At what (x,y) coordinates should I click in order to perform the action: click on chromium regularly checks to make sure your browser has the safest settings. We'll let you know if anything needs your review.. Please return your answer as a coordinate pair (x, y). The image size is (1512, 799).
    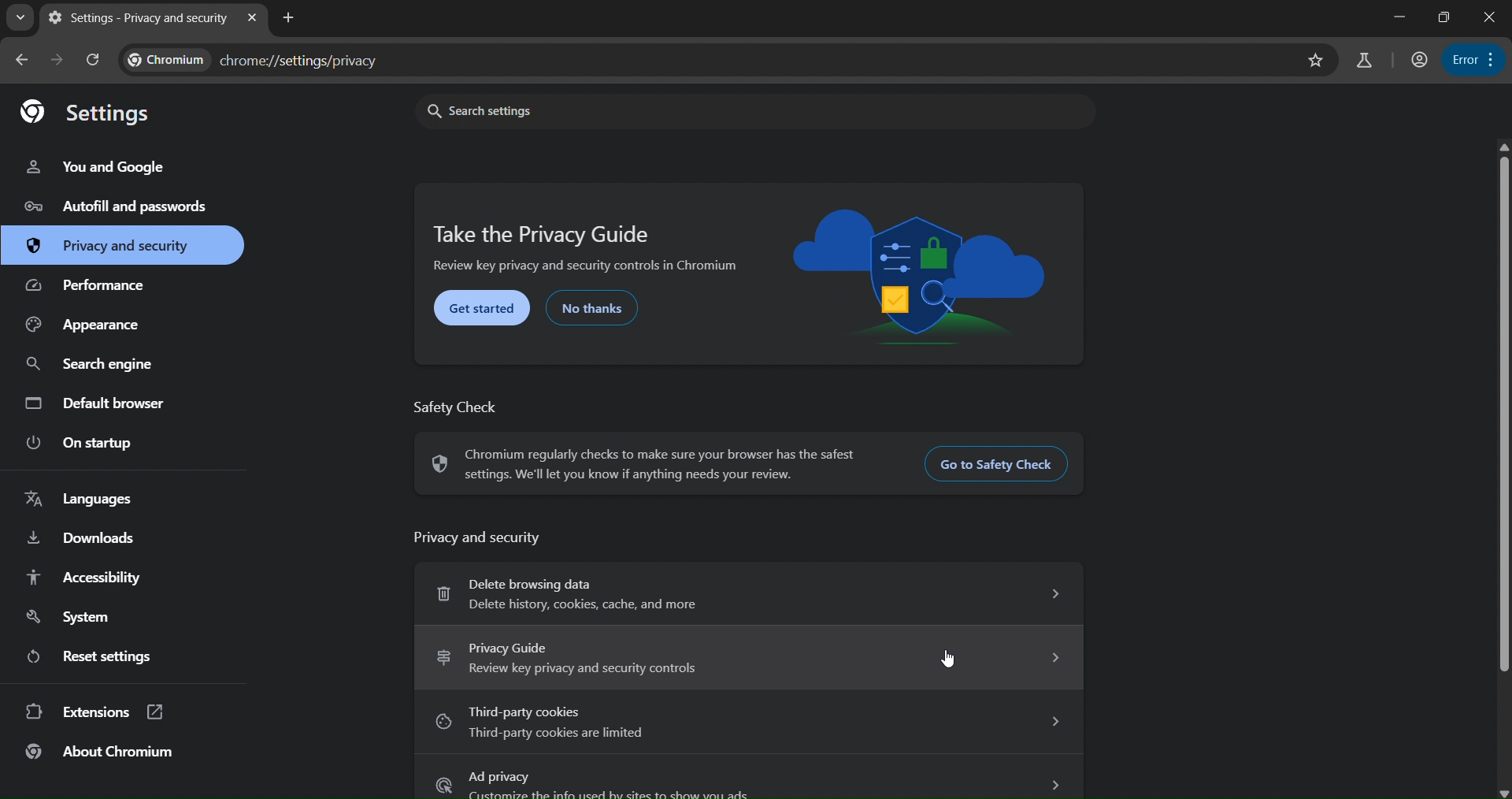
    Looking at the image, I should click on (653, 464).